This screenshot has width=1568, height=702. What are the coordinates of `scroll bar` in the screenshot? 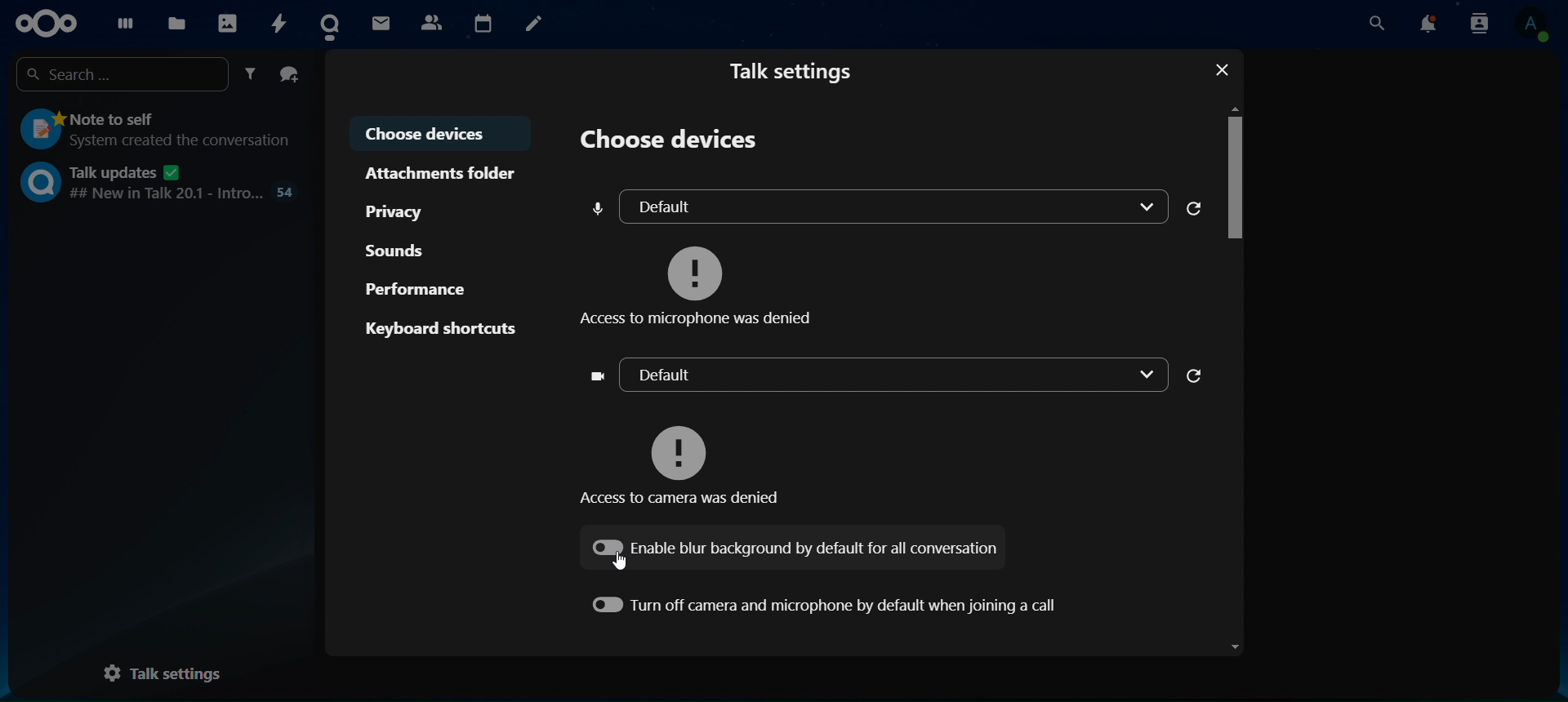 It's located at (1234, 381).